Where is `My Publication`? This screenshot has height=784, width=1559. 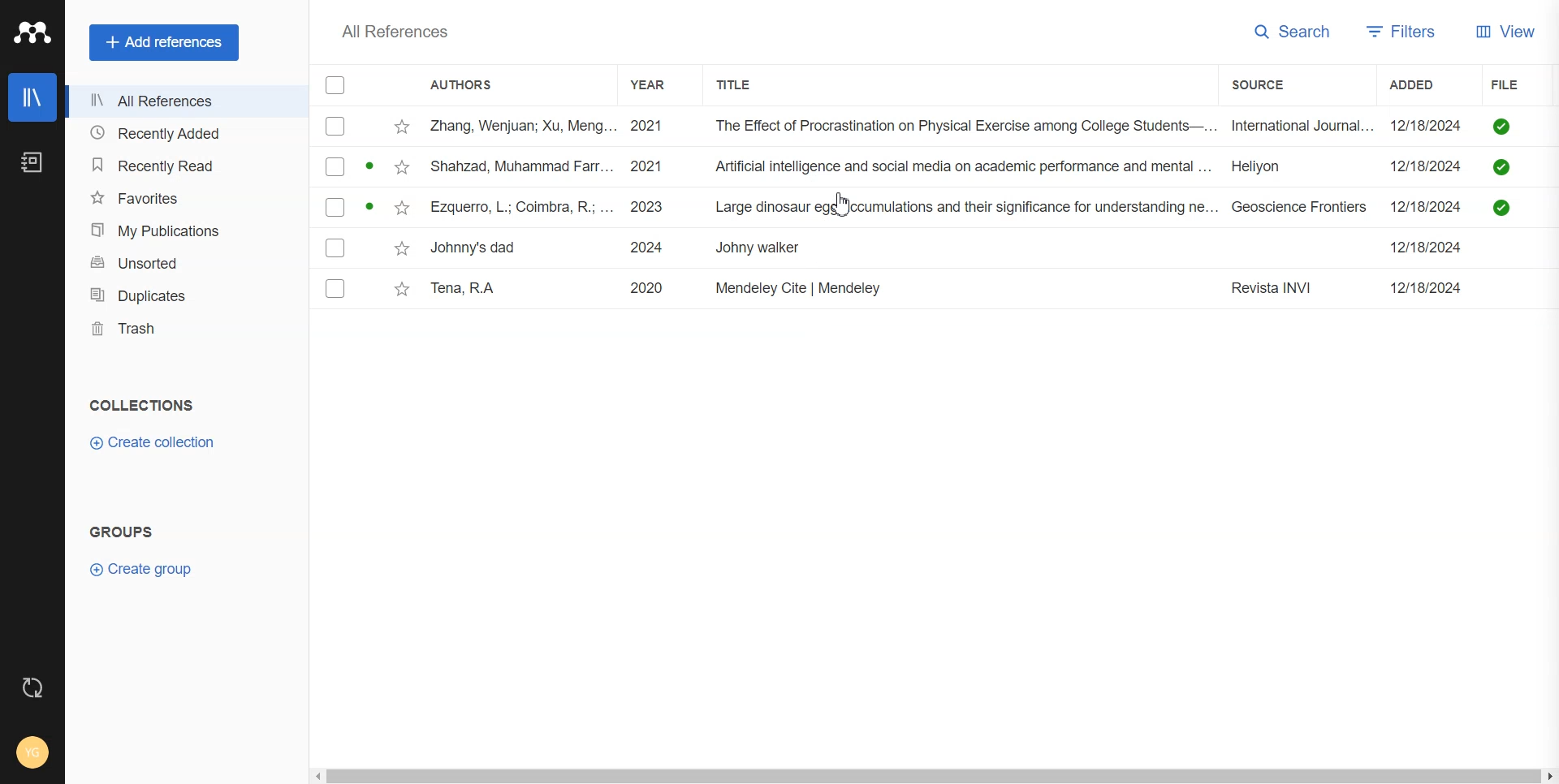
My Publication is located at coordinates (185, 229).